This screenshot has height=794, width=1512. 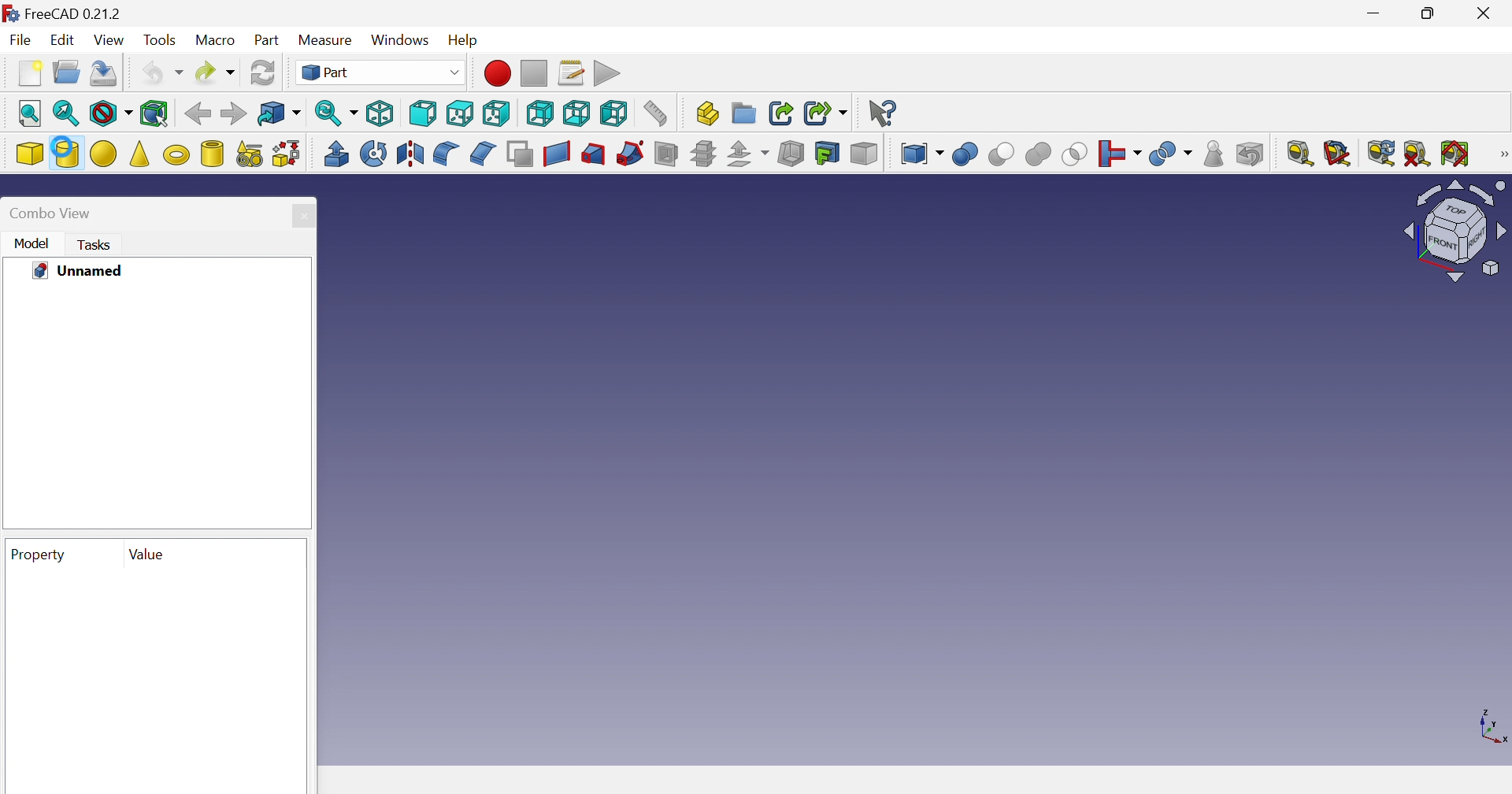 I want to click on Section, so click(x=629, y=154).